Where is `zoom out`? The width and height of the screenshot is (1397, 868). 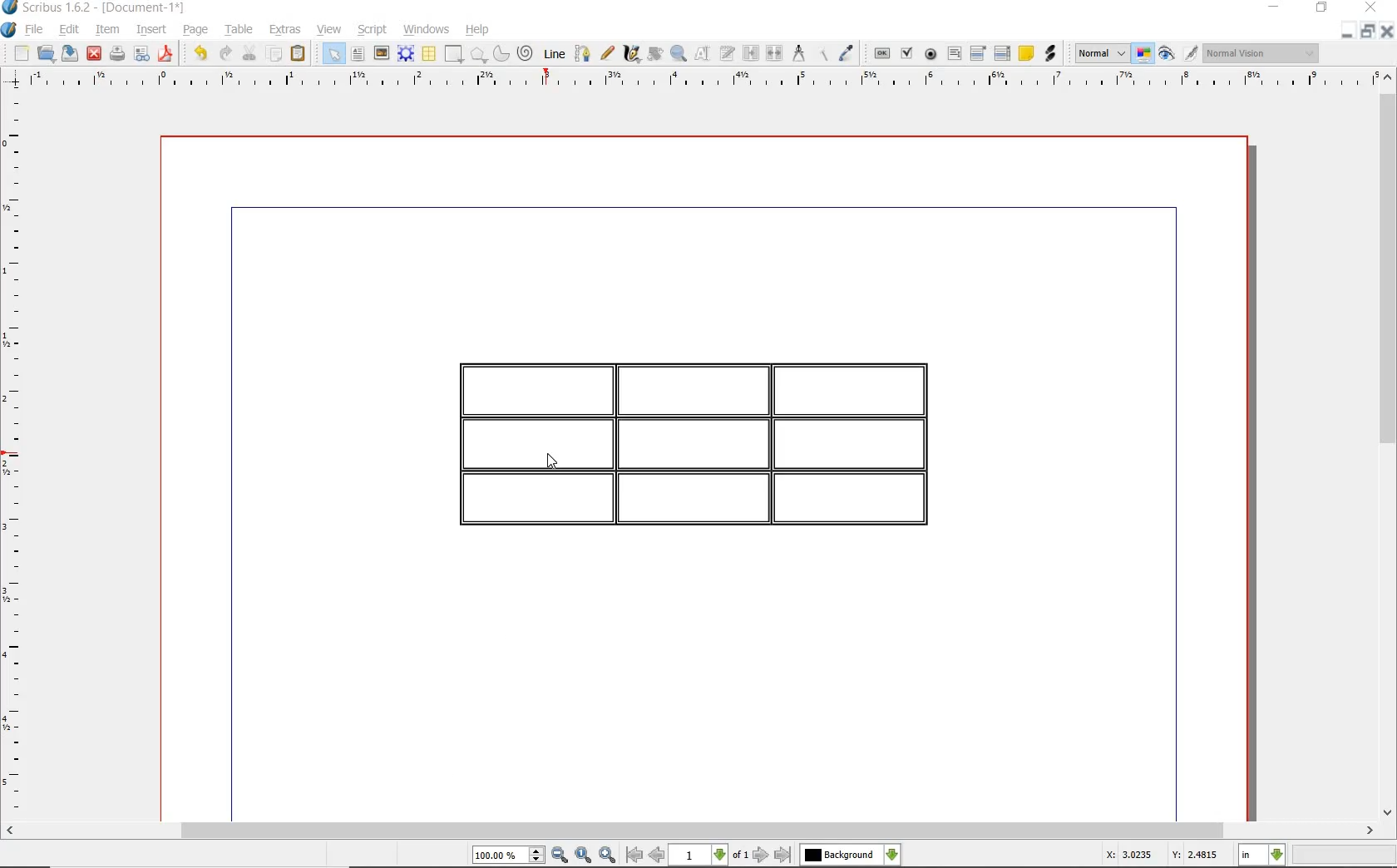 zoom out is located at coordinates (560, 856).